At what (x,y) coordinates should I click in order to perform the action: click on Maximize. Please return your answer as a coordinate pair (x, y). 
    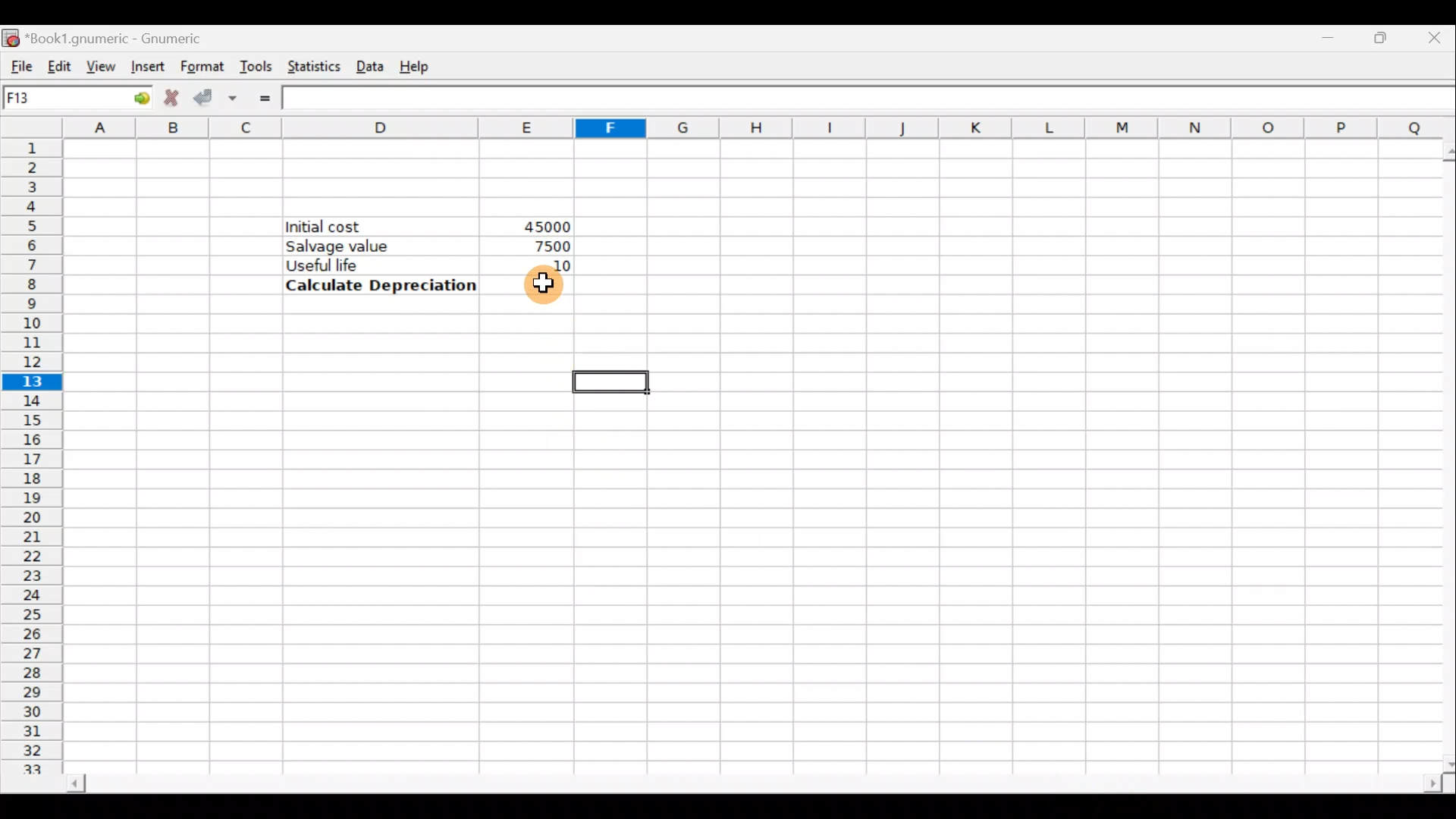
    Looking at the image, I should click on (1371, 42).